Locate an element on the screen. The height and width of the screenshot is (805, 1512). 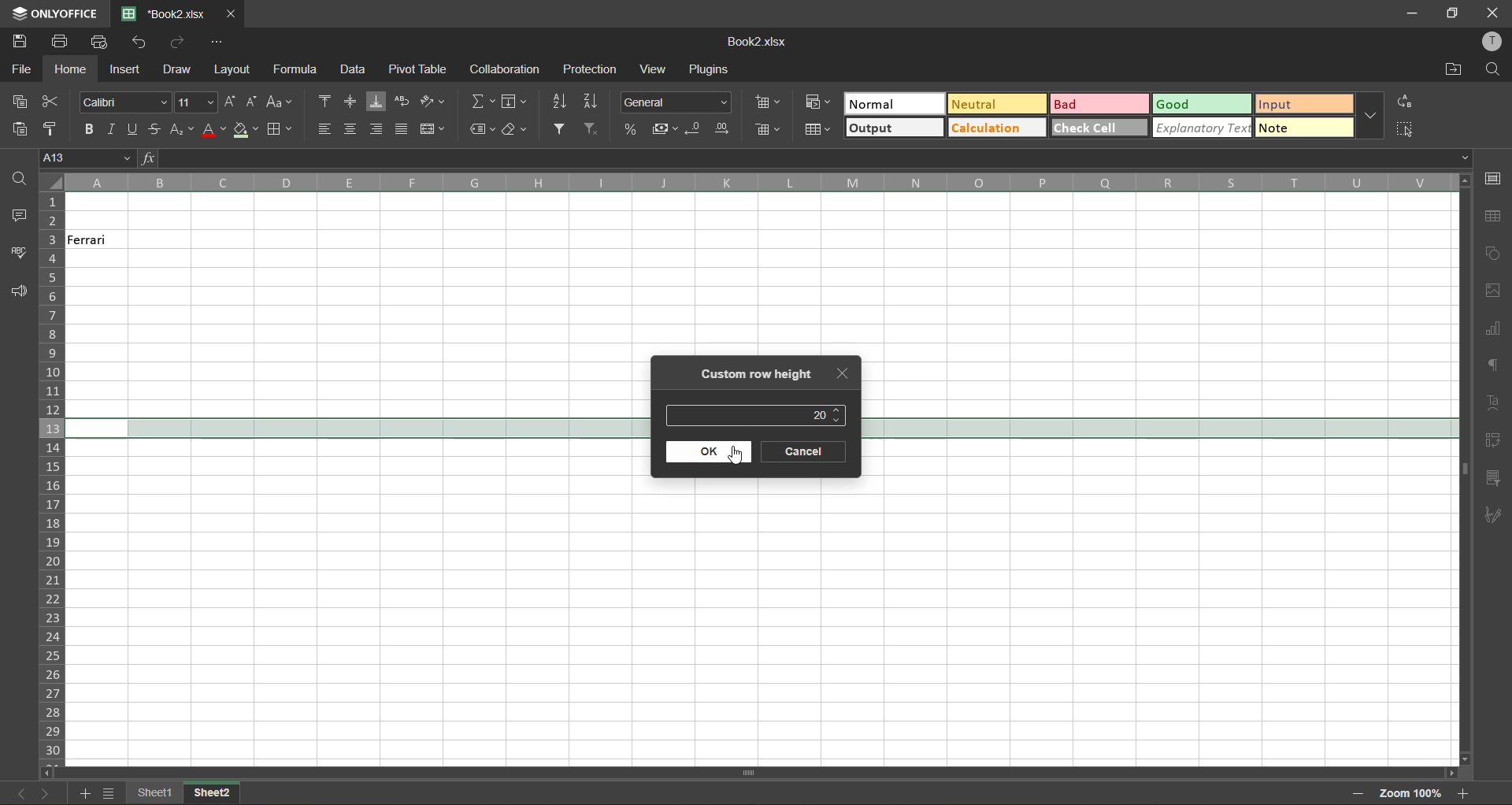
insert is located at coordinates (127, 67).